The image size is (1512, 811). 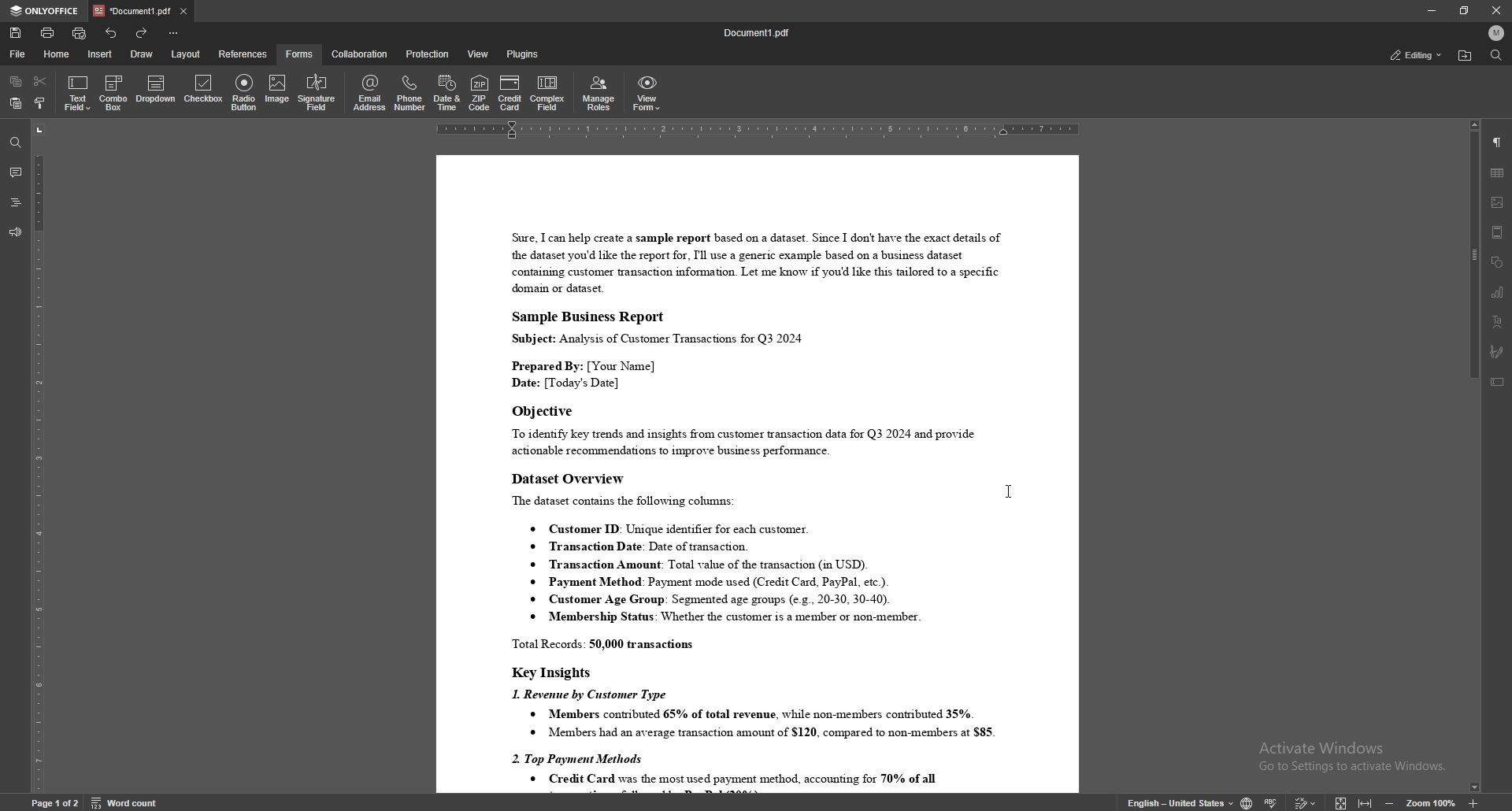 I want to click on quick print, so click(x=81, y=33).